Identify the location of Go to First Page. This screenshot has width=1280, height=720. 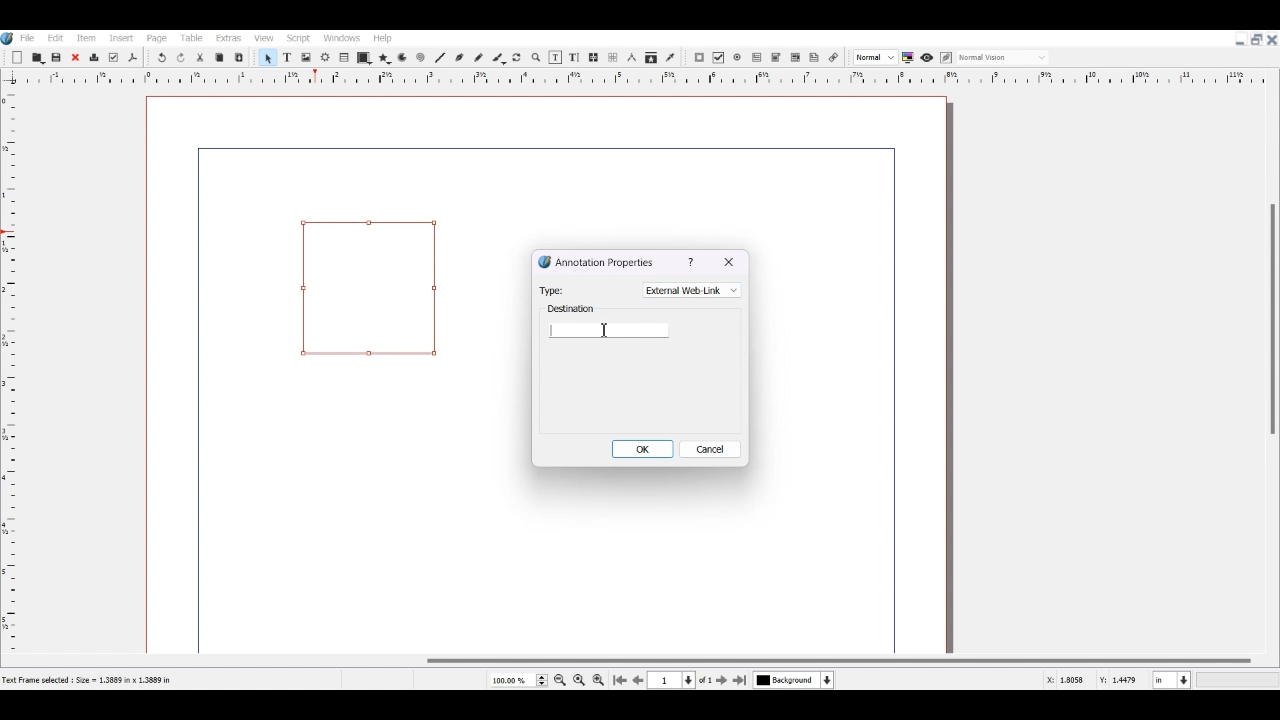
(620, 680).